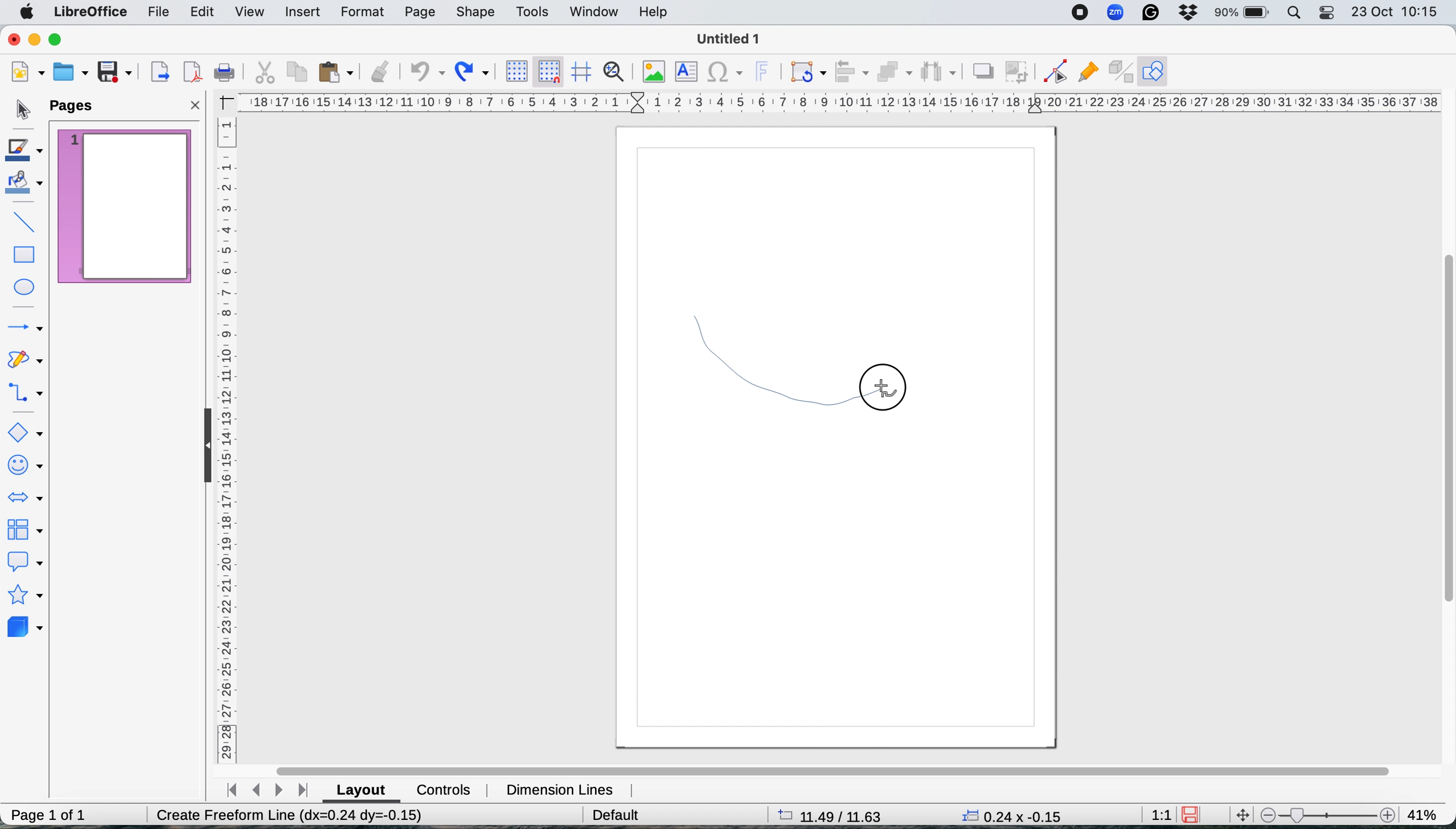 The height and width of the screenshot is (829, 1456). What do you see at coordinates (118, 72) in the screenshot?
I see `save` at bounding box center [118, 72].